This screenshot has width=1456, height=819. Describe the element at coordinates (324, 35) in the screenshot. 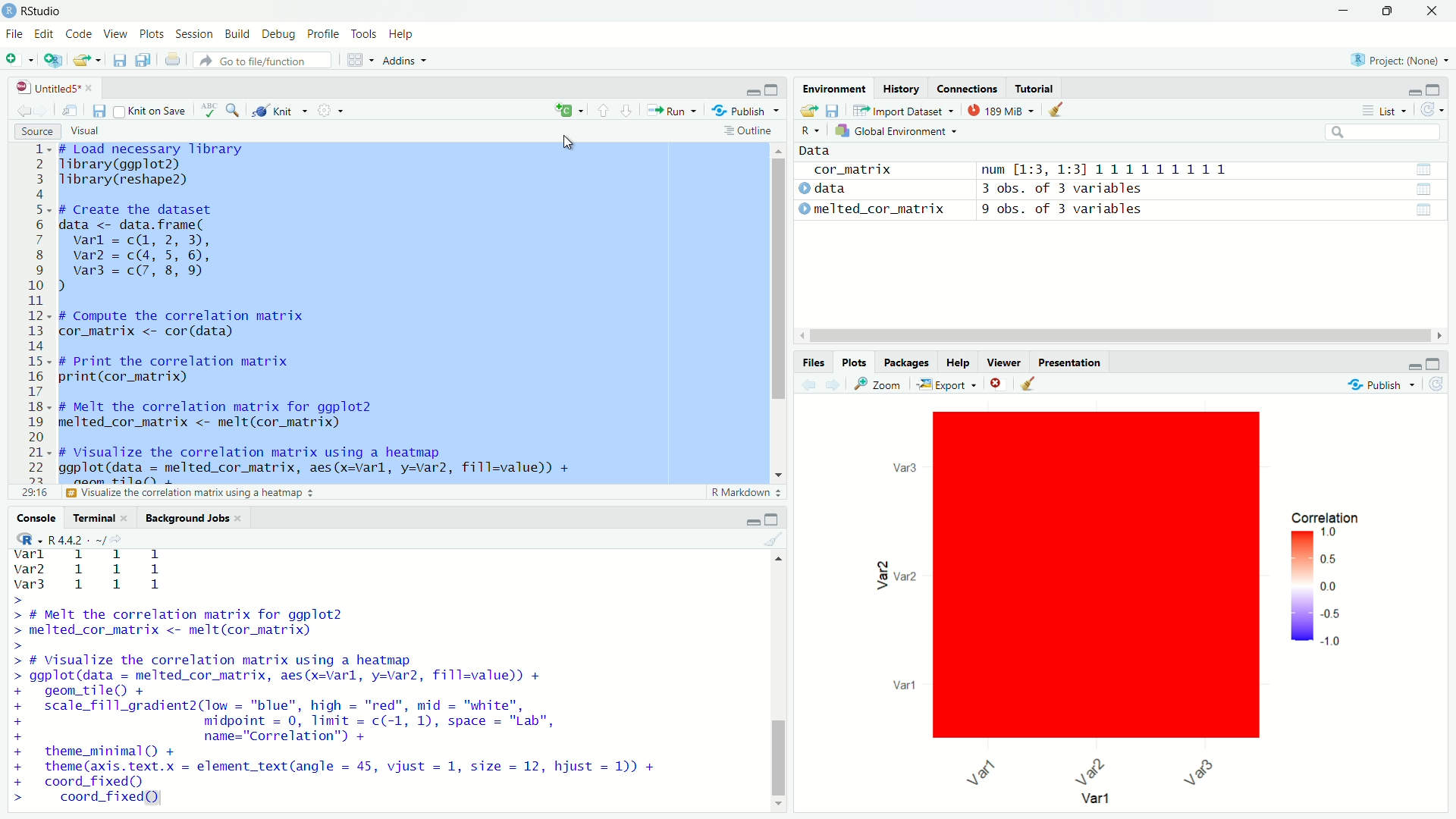

I see `profile` at that location.